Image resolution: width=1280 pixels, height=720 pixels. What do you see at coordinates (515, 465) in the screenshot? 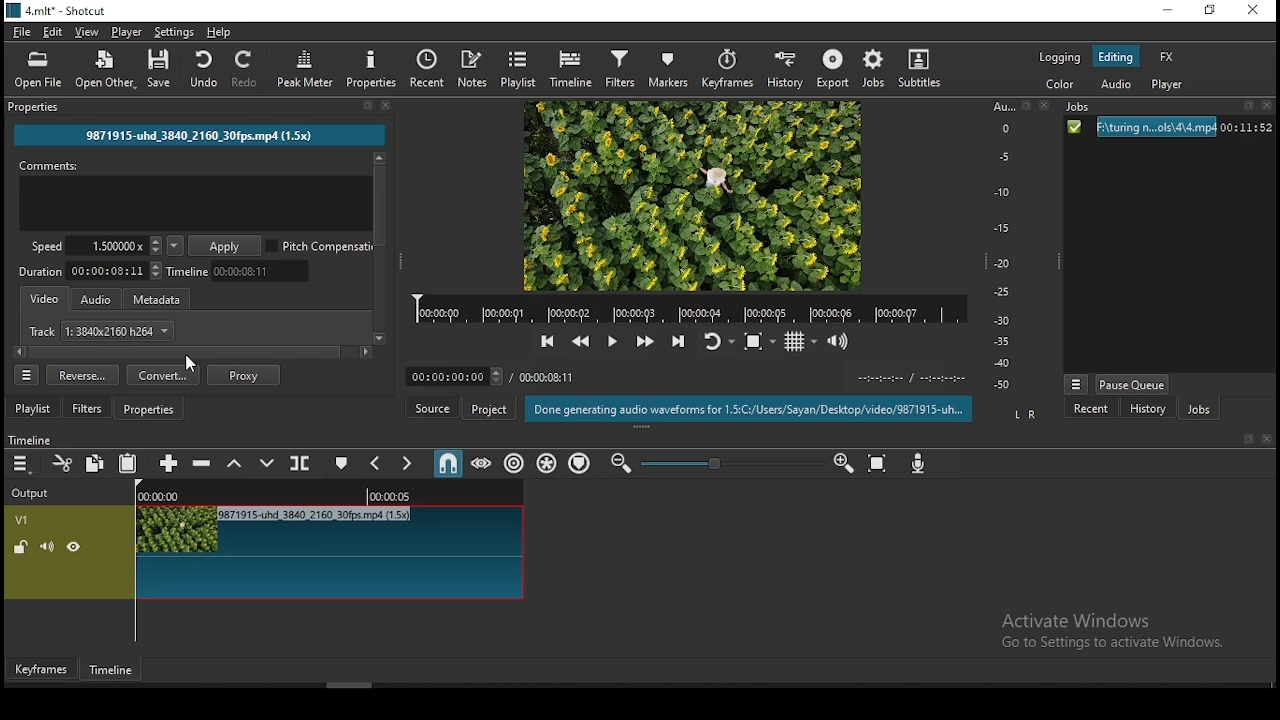
I see `ripple` at bounding box center [515, 465].